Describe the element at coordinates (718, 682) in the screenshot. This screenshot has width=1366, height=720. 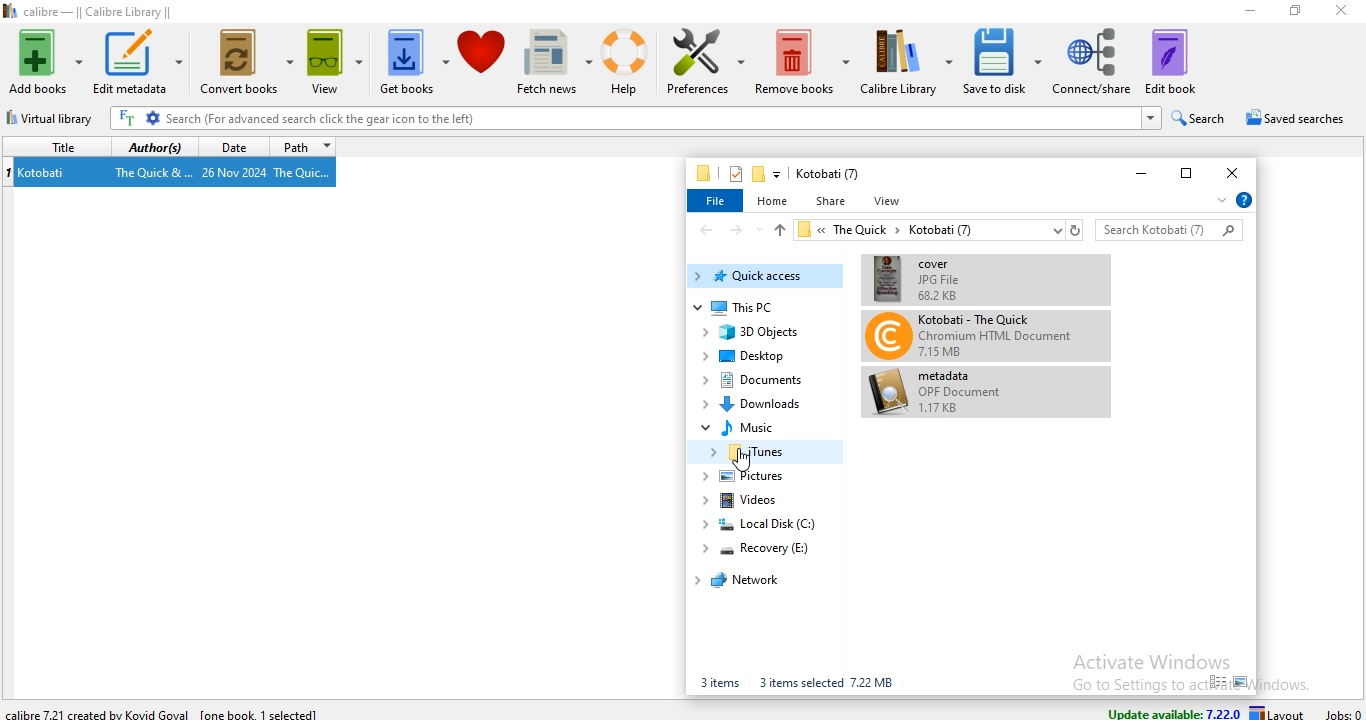
I see `3 items` at that location.